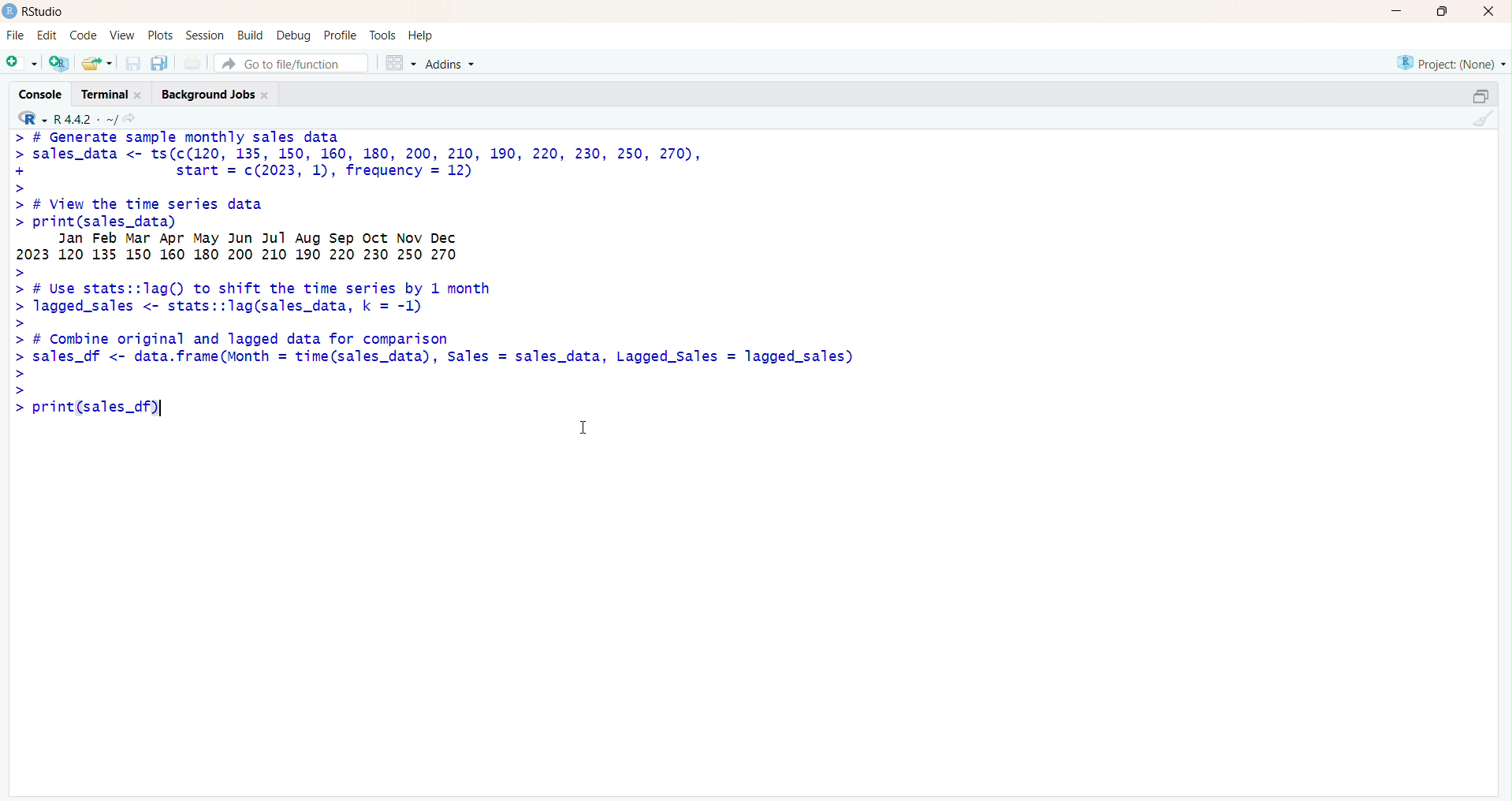 Image resolution: width=1512 pixels, height=801 pixels. I want to click on addins, so click(453, 63).